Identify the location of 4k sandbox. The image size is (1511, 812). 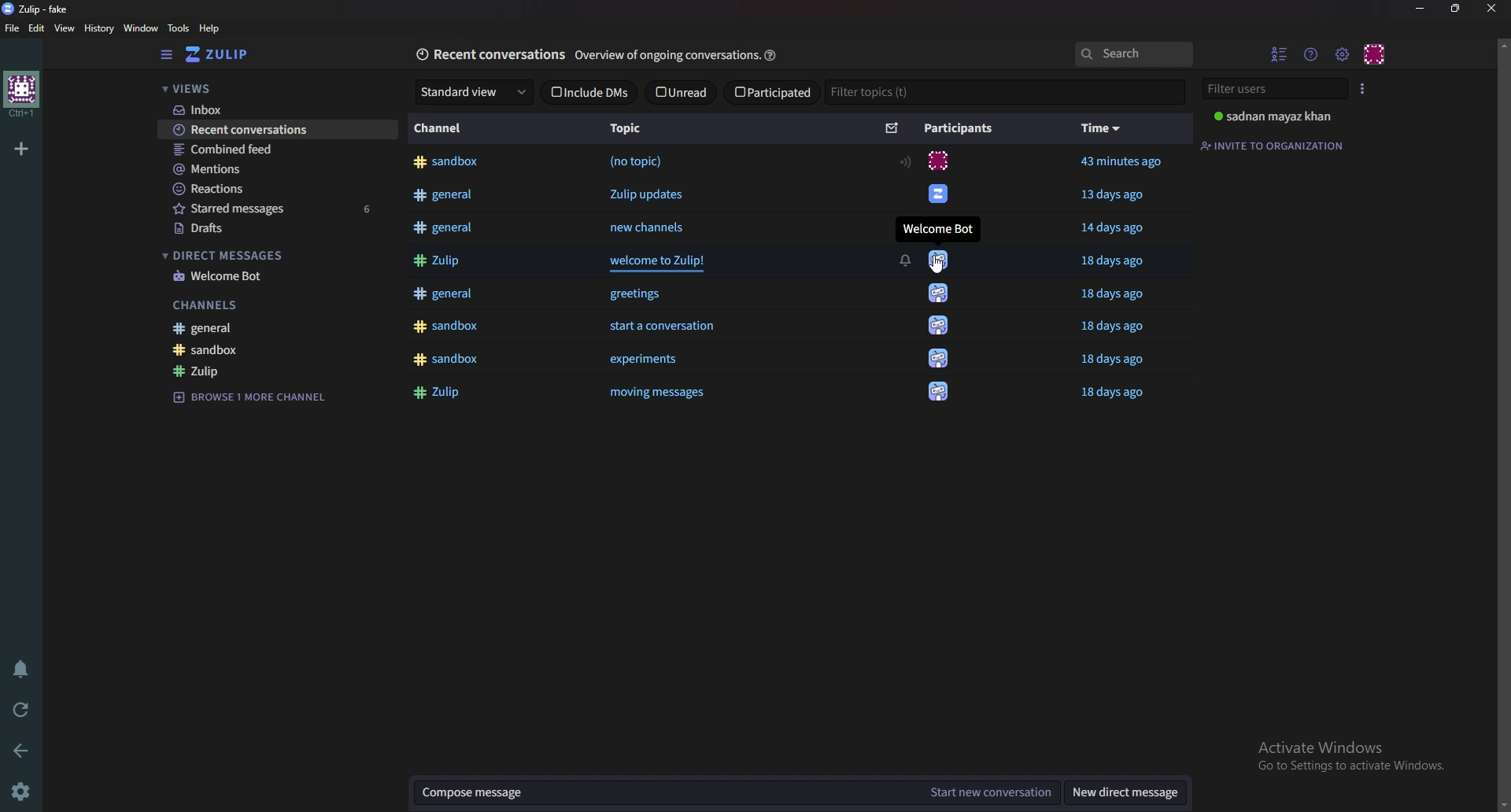
(451, 327).